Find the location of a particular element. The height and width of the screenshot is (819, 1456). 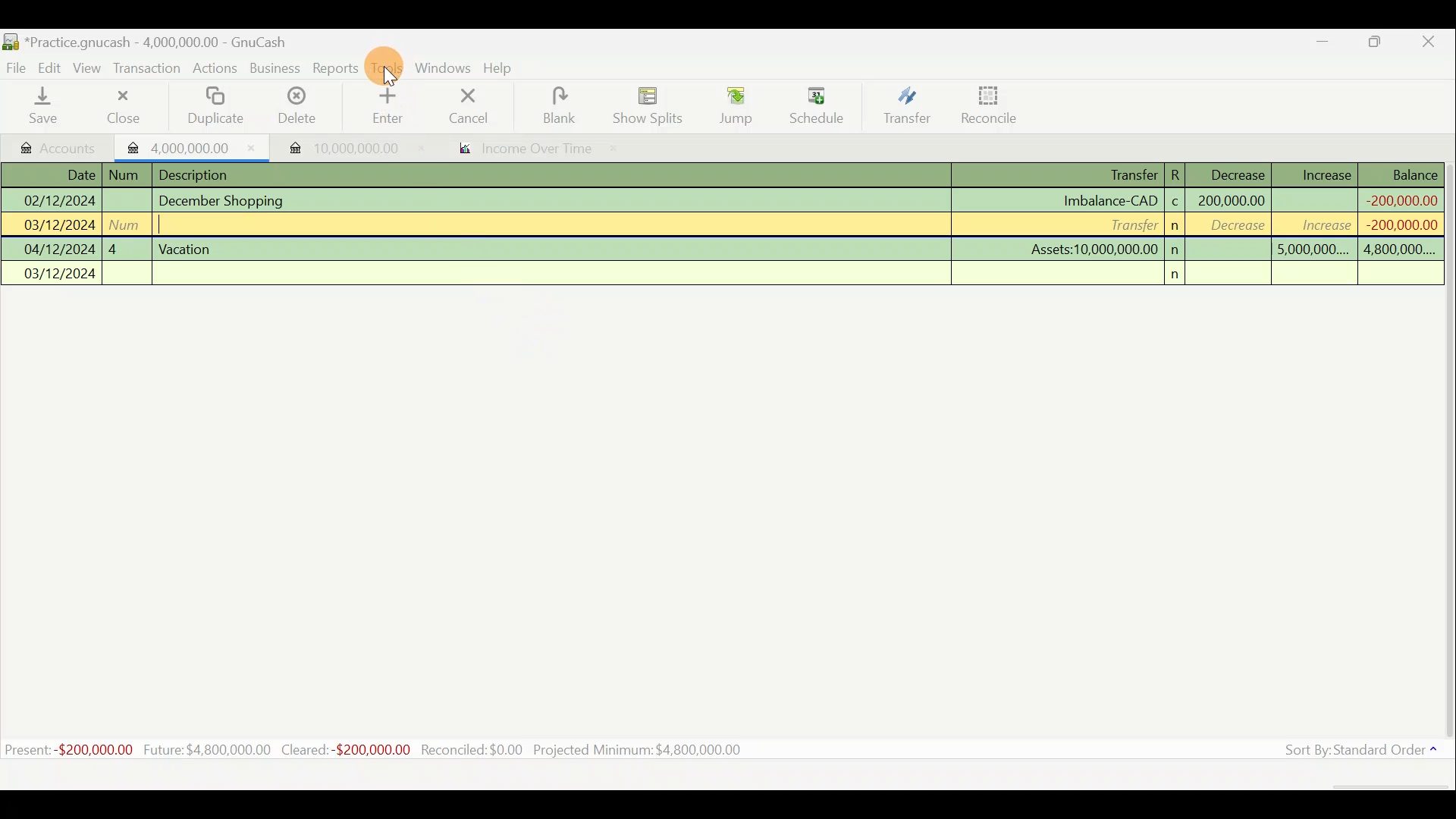

Close is located at coordinates (1433, 42).